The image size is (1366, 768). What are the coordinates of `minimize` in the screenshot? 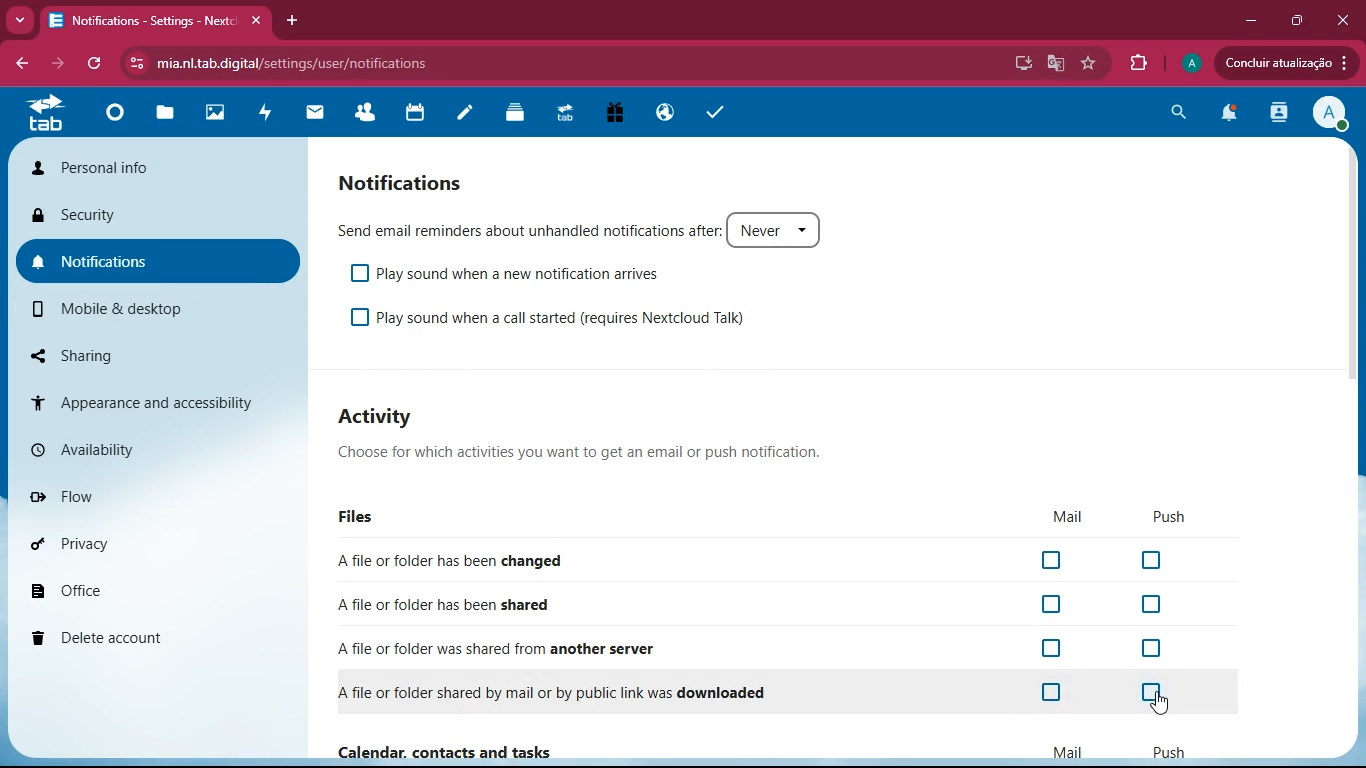 It's located at (1250, 21).